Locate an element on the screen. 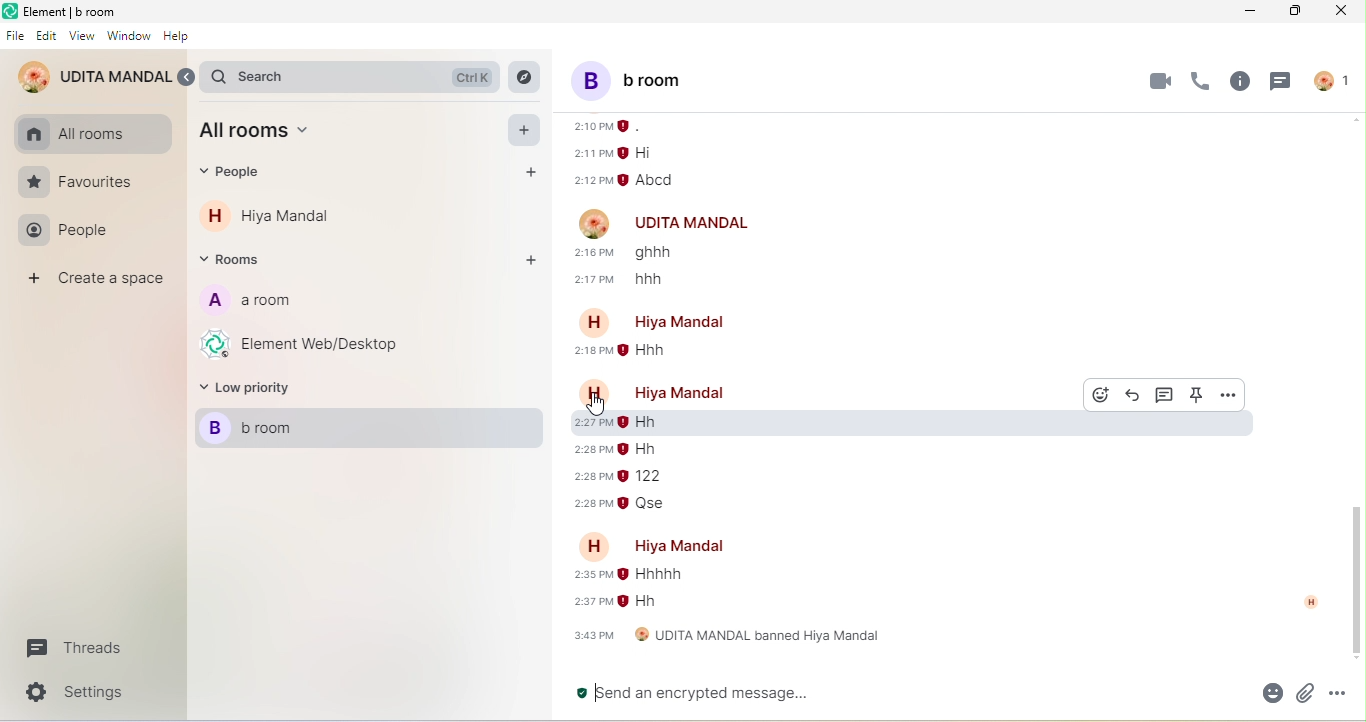 This screenshot has height=722, width=1366. all rooms is located at coordinates (76, 134).